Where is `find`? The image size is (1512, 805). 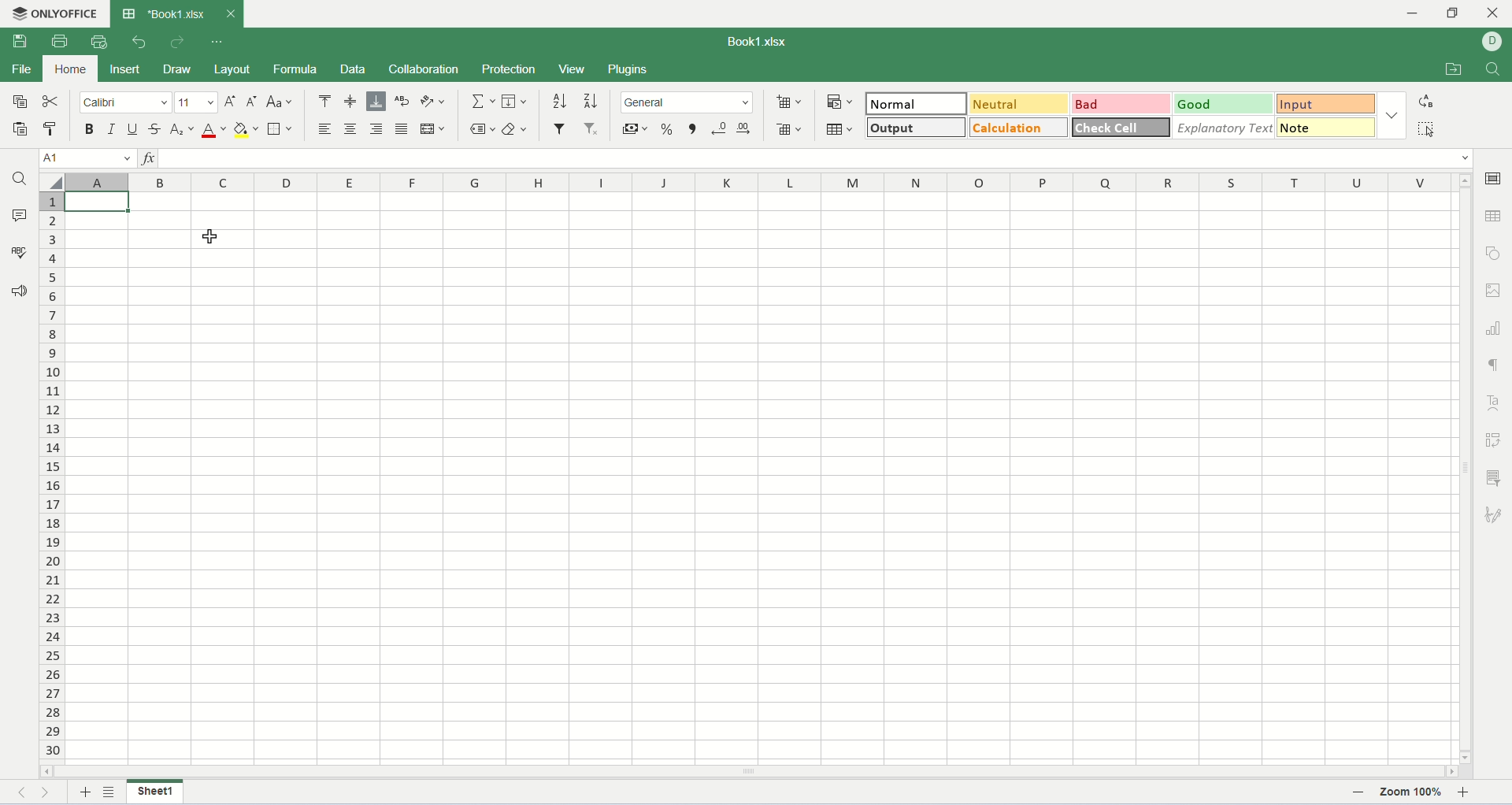 find is located at coordinates (1496, 70).